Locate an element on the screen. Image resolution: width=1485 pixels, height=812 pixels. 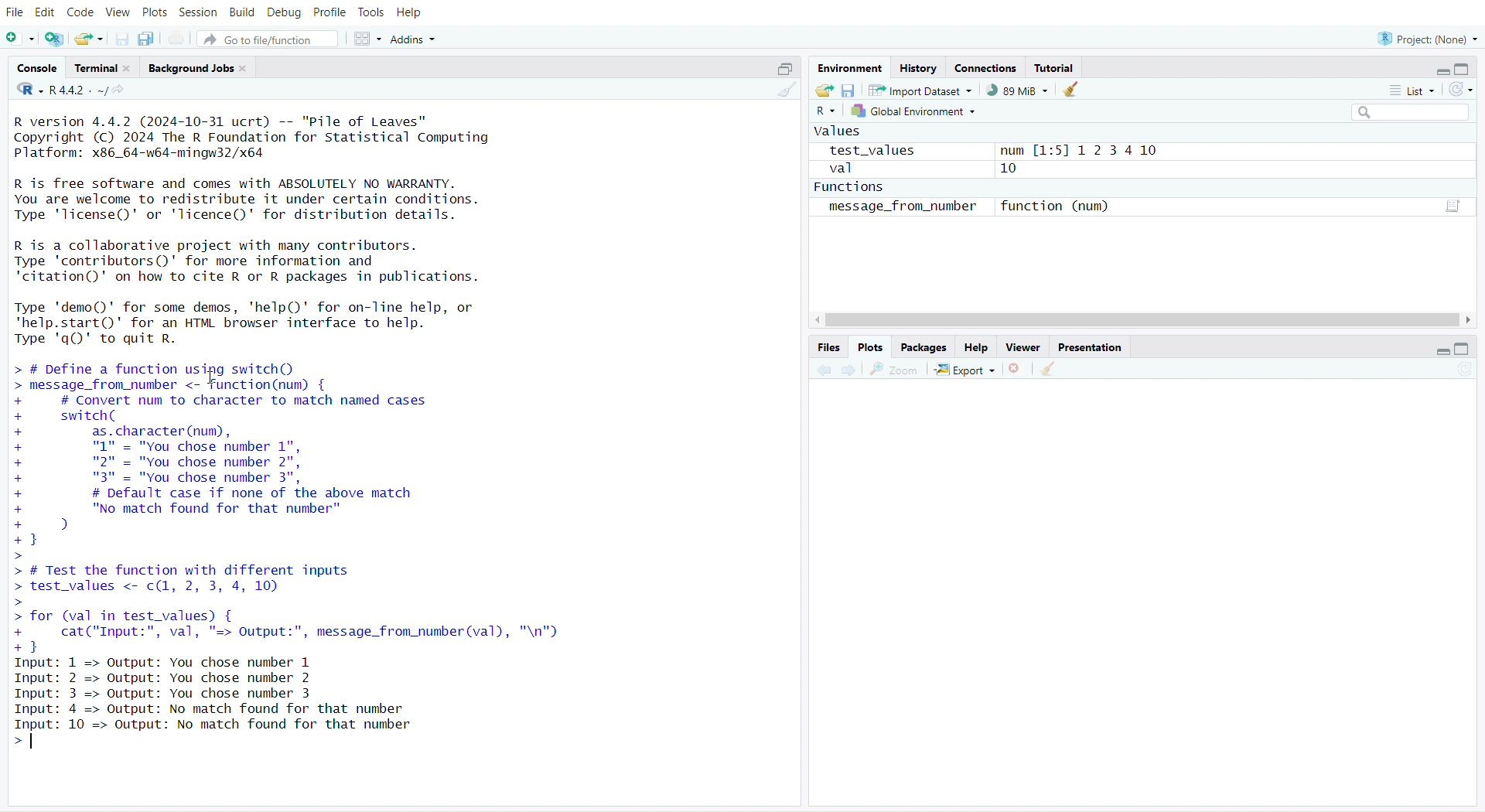
Close is located at coordinates (1016, 368).